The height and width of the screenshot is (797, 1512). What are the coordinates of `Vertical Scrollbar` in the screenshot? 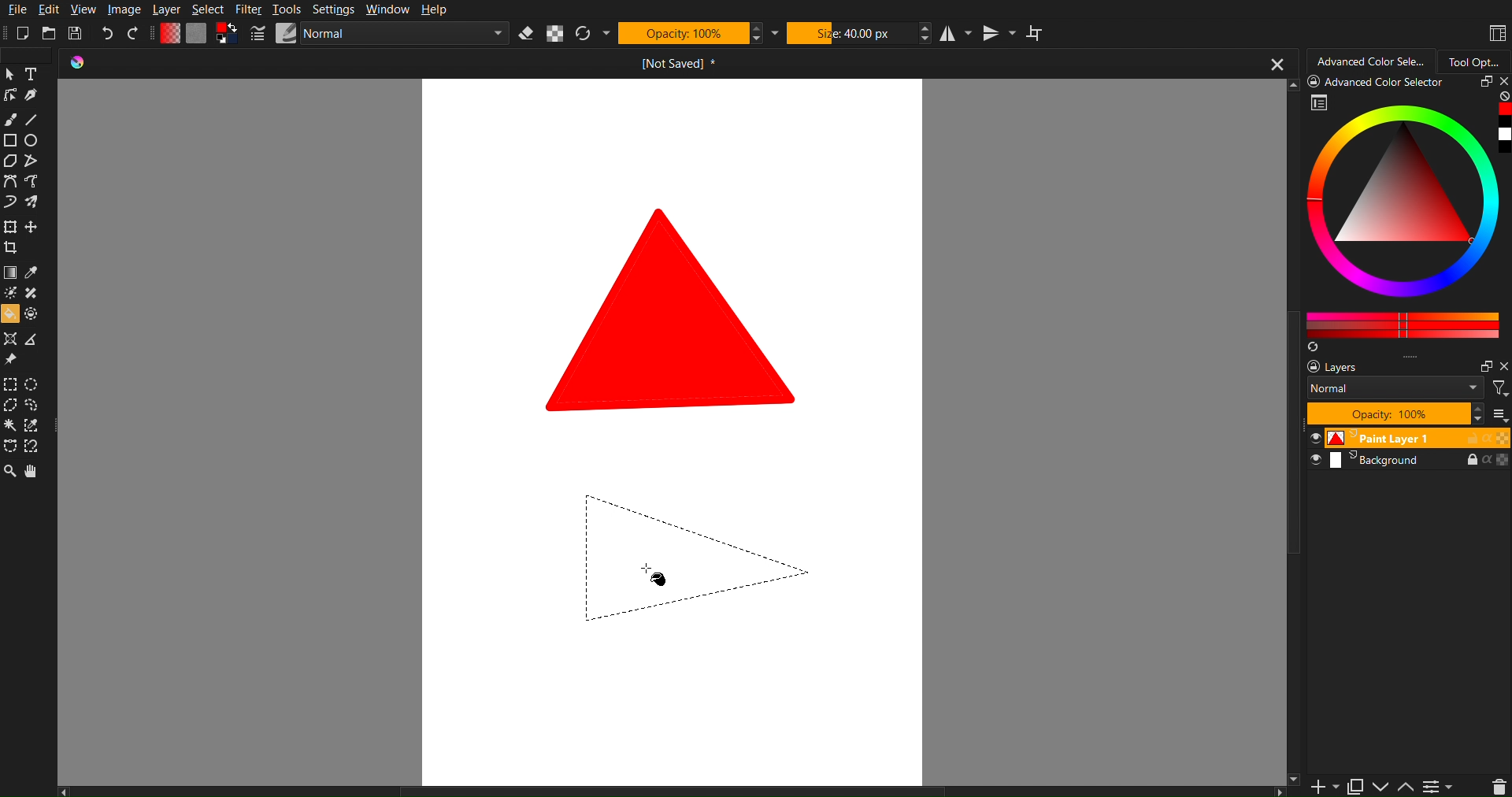 It's located at (1295, 629).